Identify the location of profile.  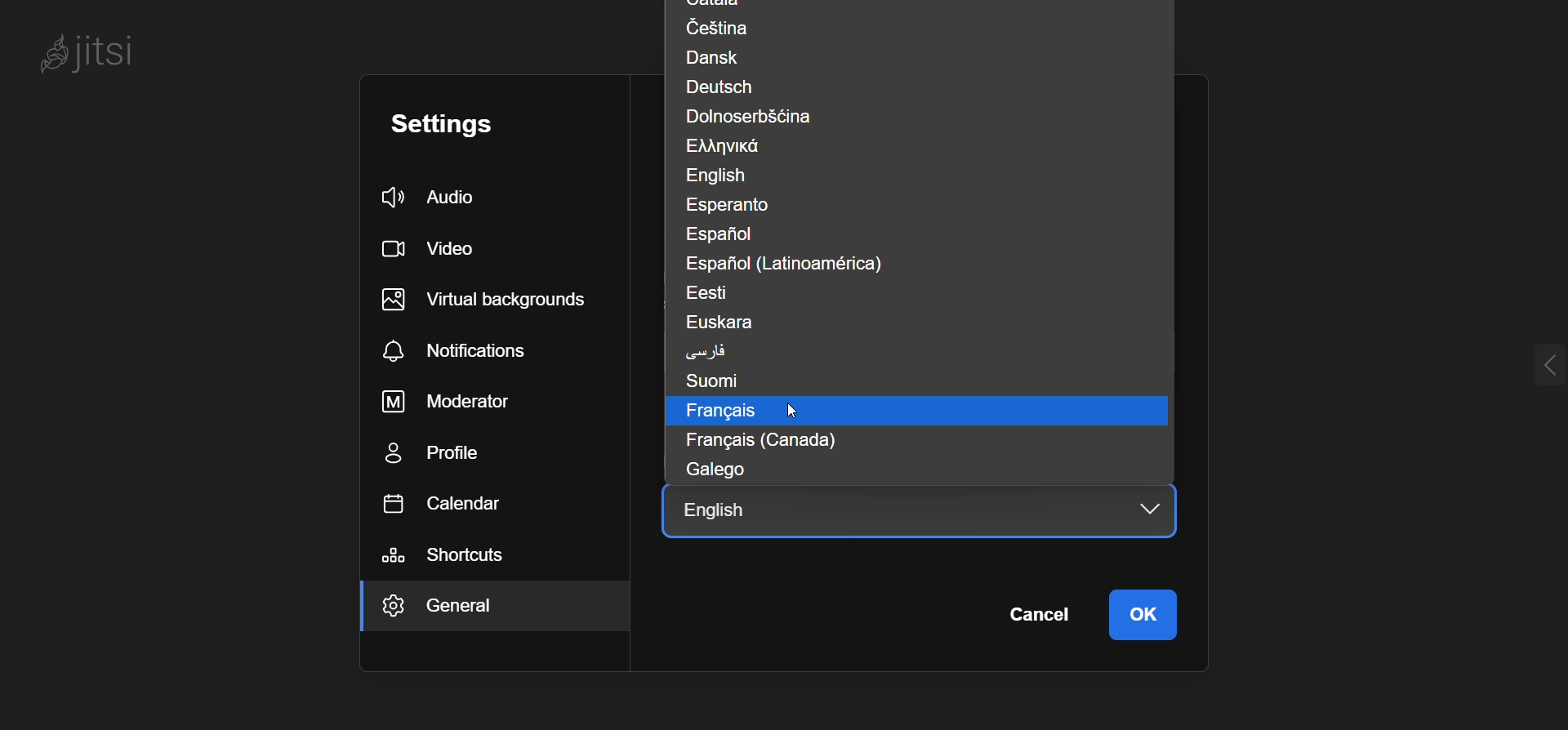
(444, 456).